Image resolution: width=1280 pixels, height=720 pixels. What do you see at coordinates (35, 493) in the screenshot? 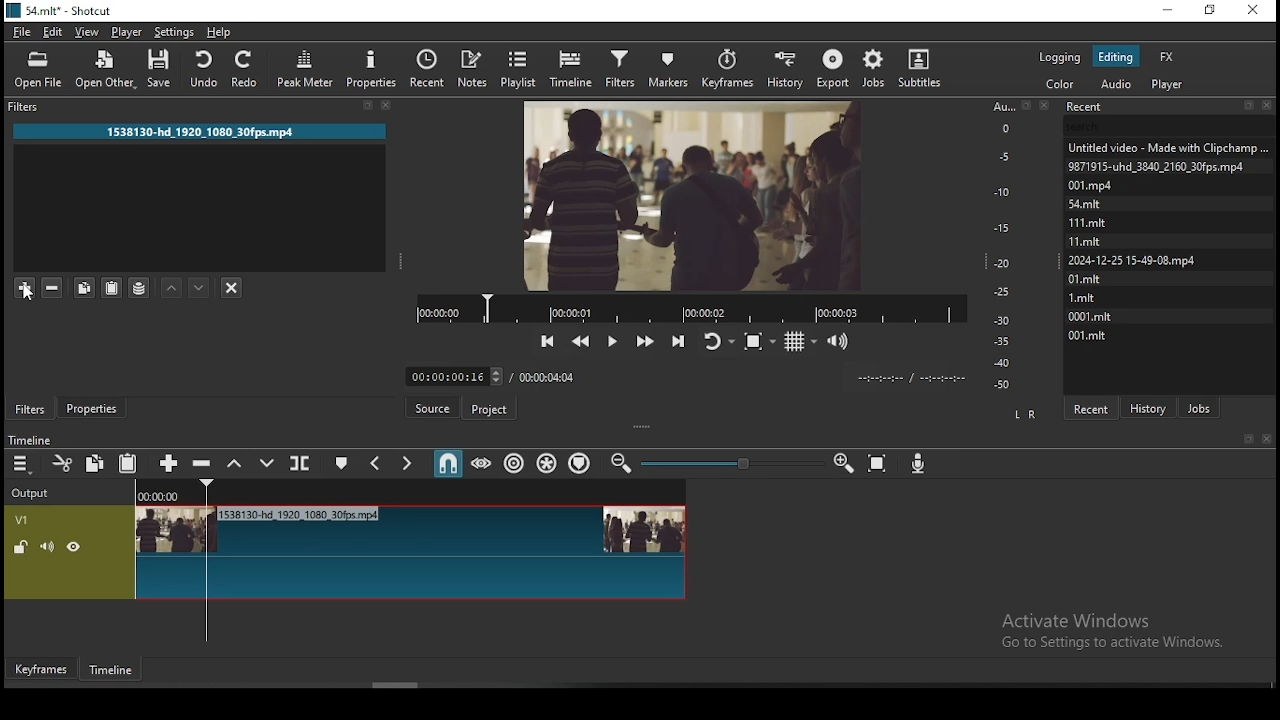
I see `Outpur` at bounding box center [35, 493].